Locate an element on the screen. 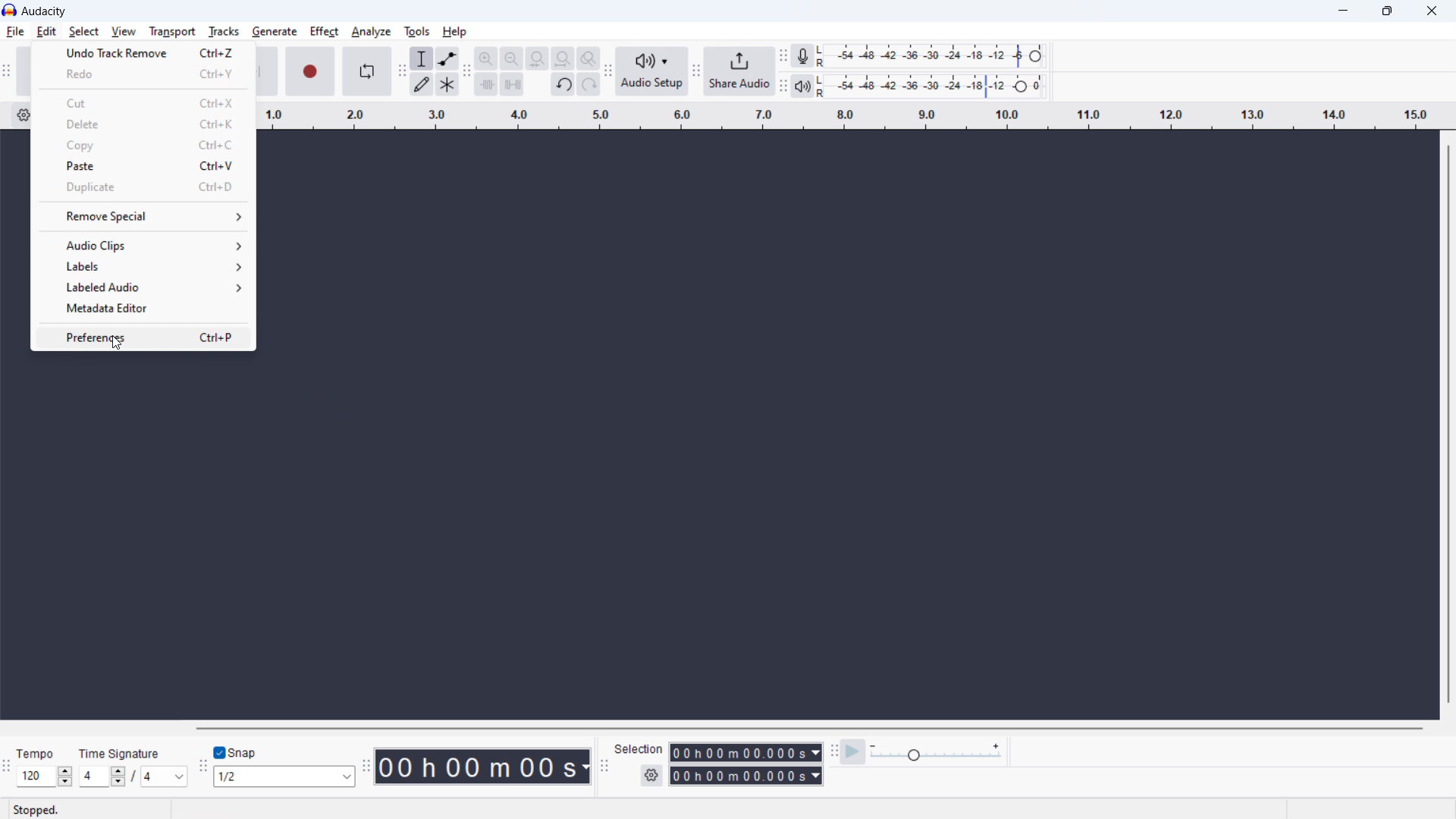 This screenshot has width=1456, height=819. horizontal scrollbar is located at coordinates (808, 728).